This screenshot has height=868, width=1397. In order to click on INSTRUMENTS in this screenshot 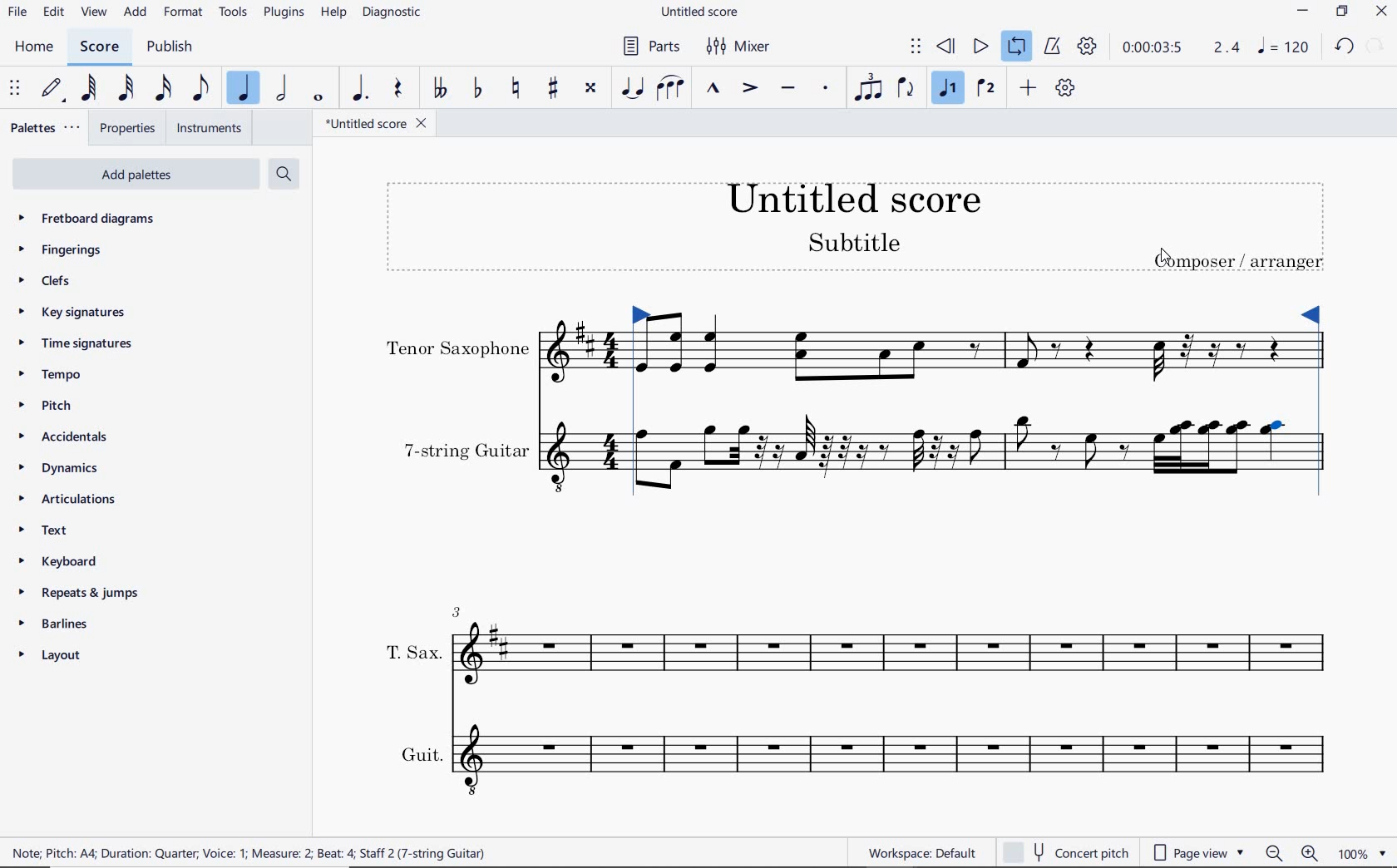, I will do `click(212, 130)`.